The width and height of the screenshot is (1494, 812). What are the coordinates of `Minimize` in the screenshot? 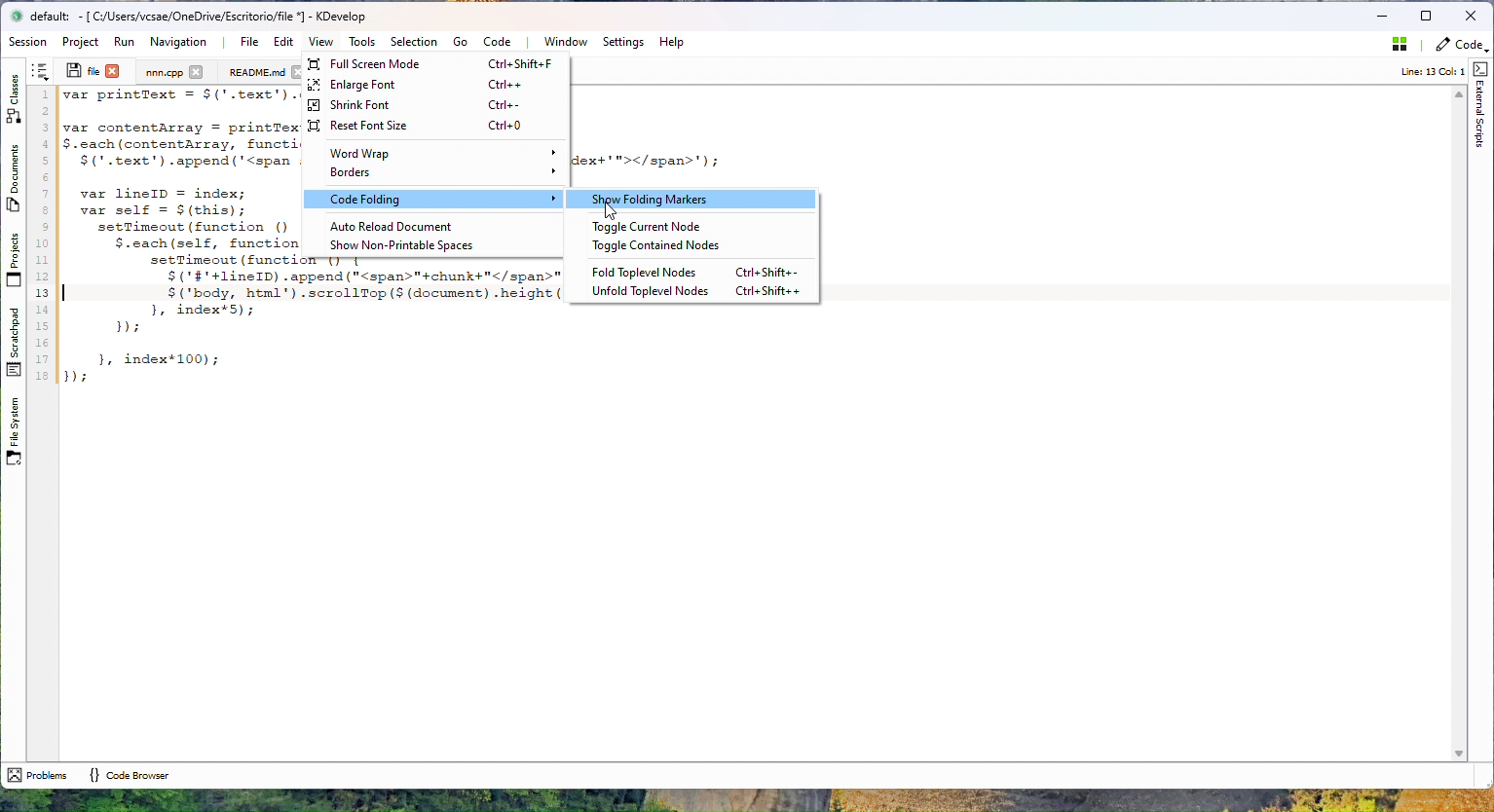 It's located at (1381, 17).